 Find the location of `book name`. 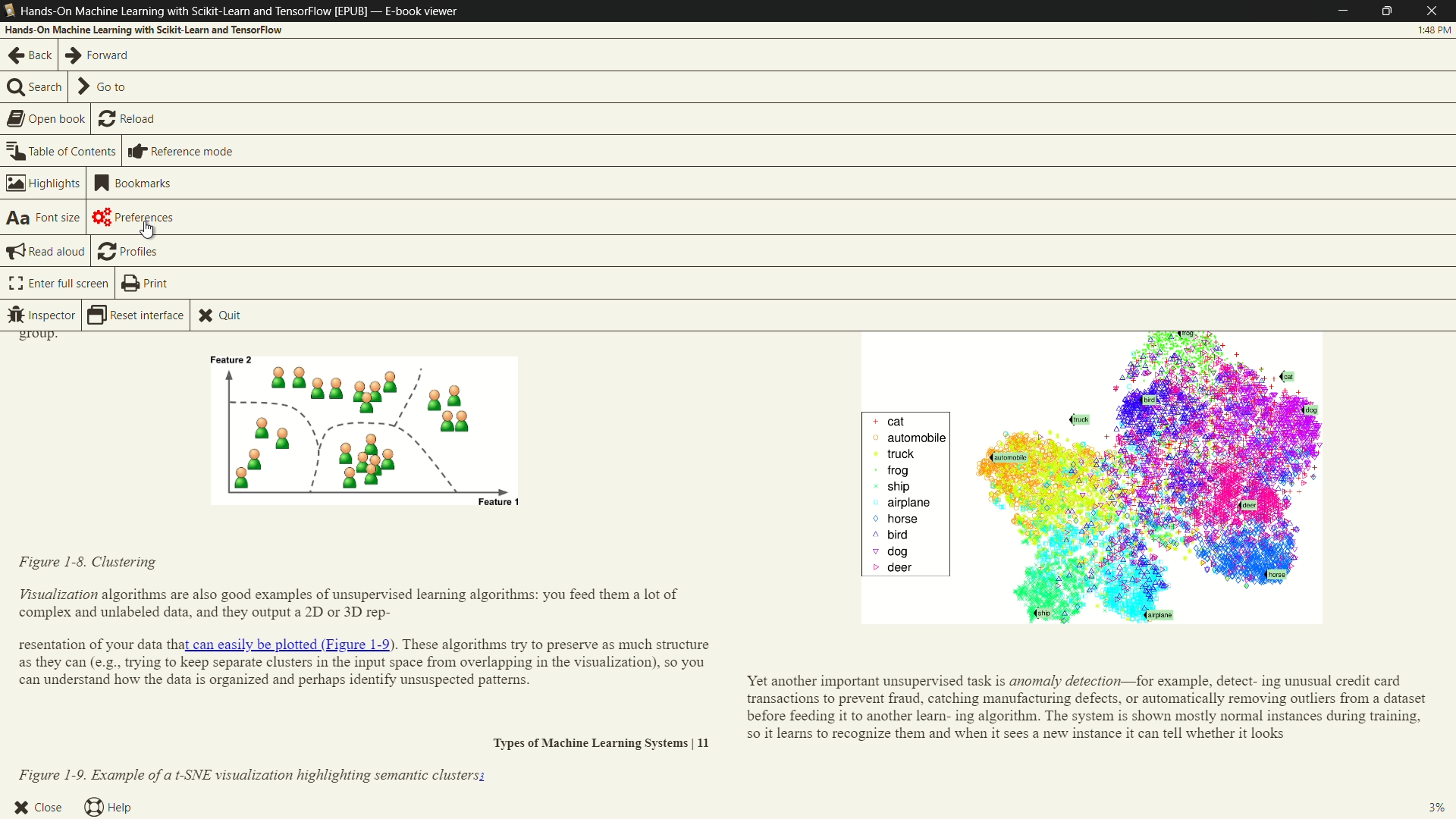

book name is located at coordinates (194, 11).